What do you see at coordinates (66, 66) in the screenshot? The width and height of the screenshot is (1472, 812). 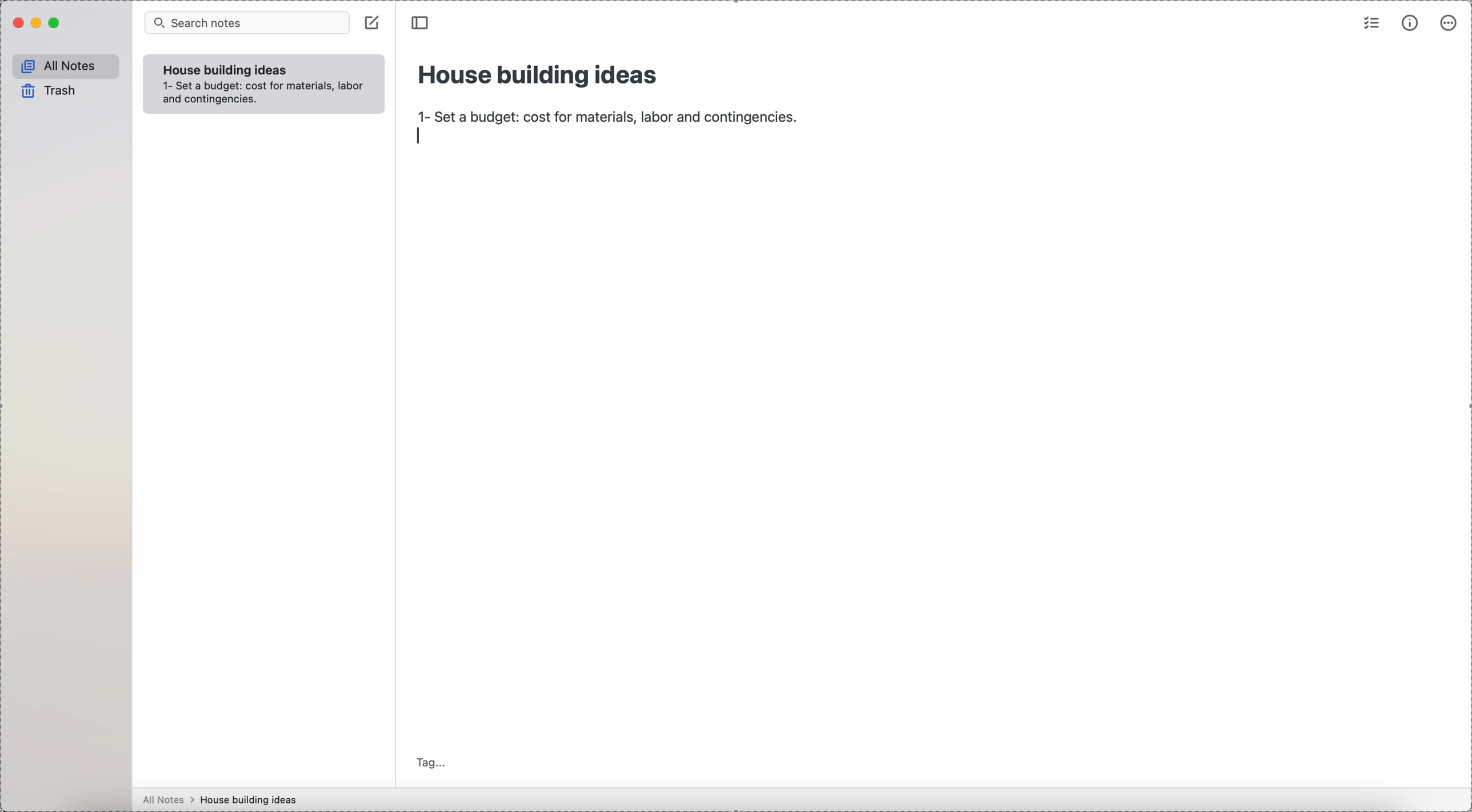 I see `all notes` at bounding box center [66, 66].